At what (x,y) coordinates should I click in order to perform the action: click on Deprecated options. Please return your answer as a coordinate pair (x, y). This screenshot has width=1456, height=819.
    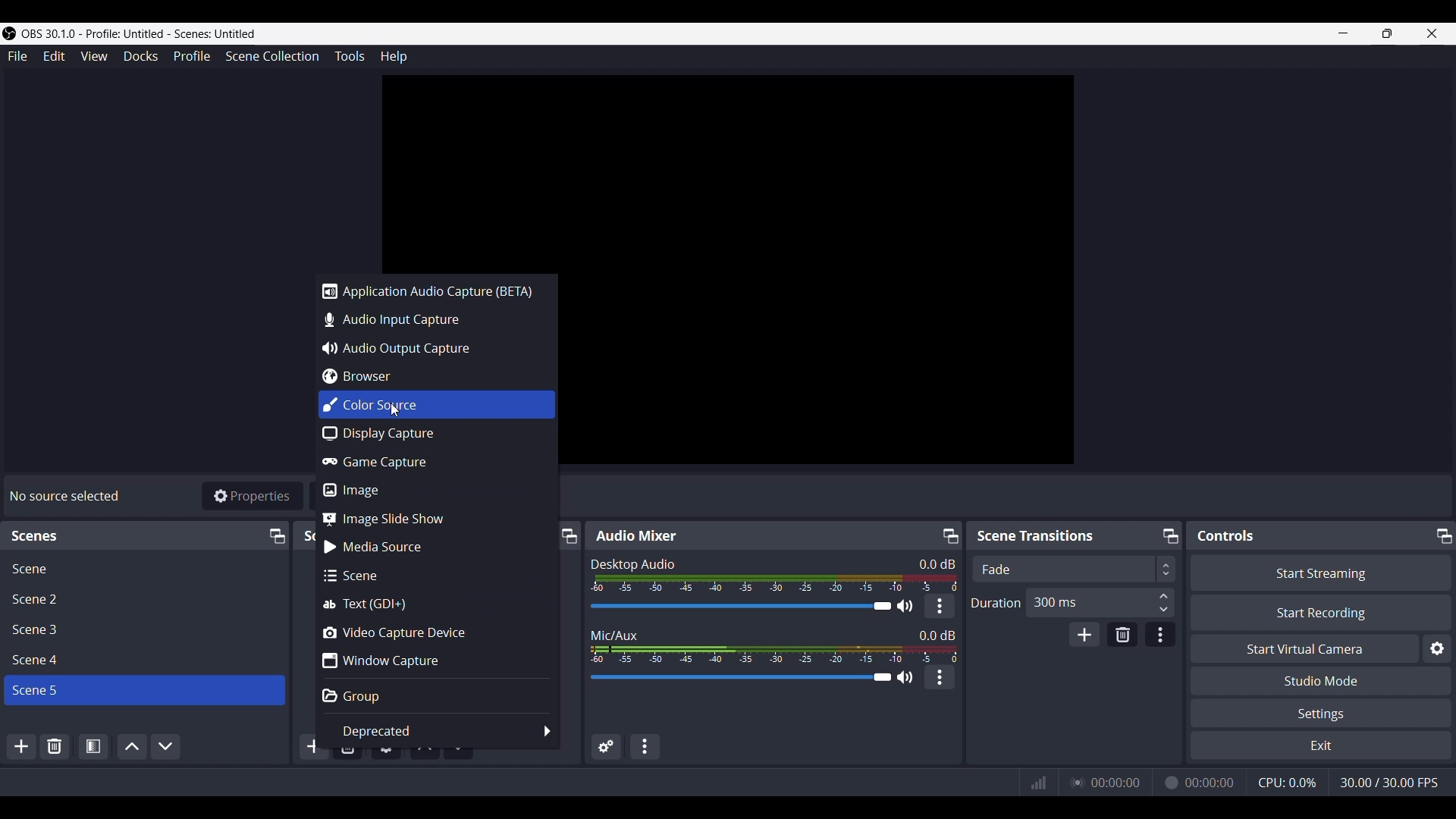
    Looking at the image, I should click on (438, 731).